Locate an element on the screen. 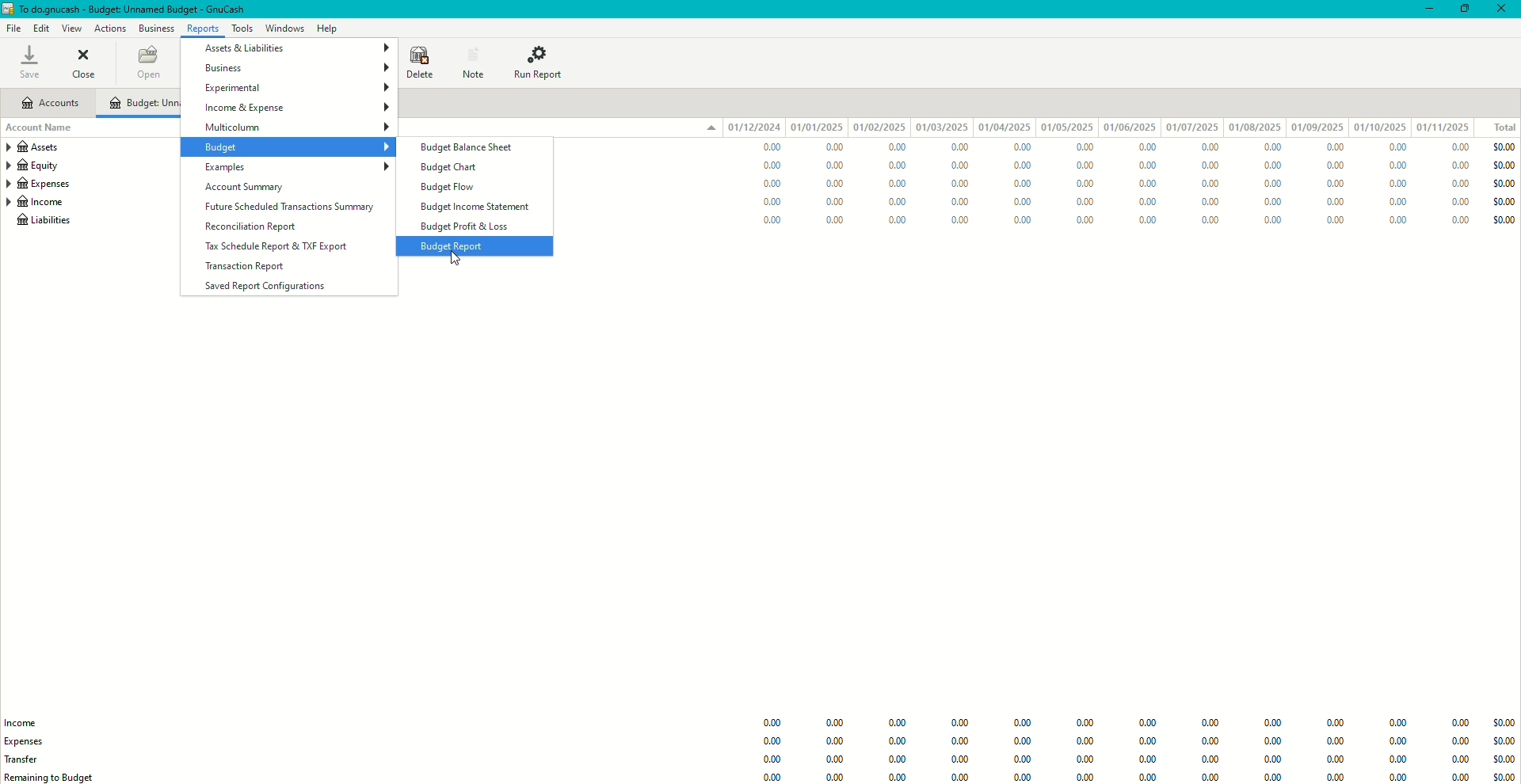 This screenshot has height=784, width=1521. $0.00 is located at coordinates (1504, 219).